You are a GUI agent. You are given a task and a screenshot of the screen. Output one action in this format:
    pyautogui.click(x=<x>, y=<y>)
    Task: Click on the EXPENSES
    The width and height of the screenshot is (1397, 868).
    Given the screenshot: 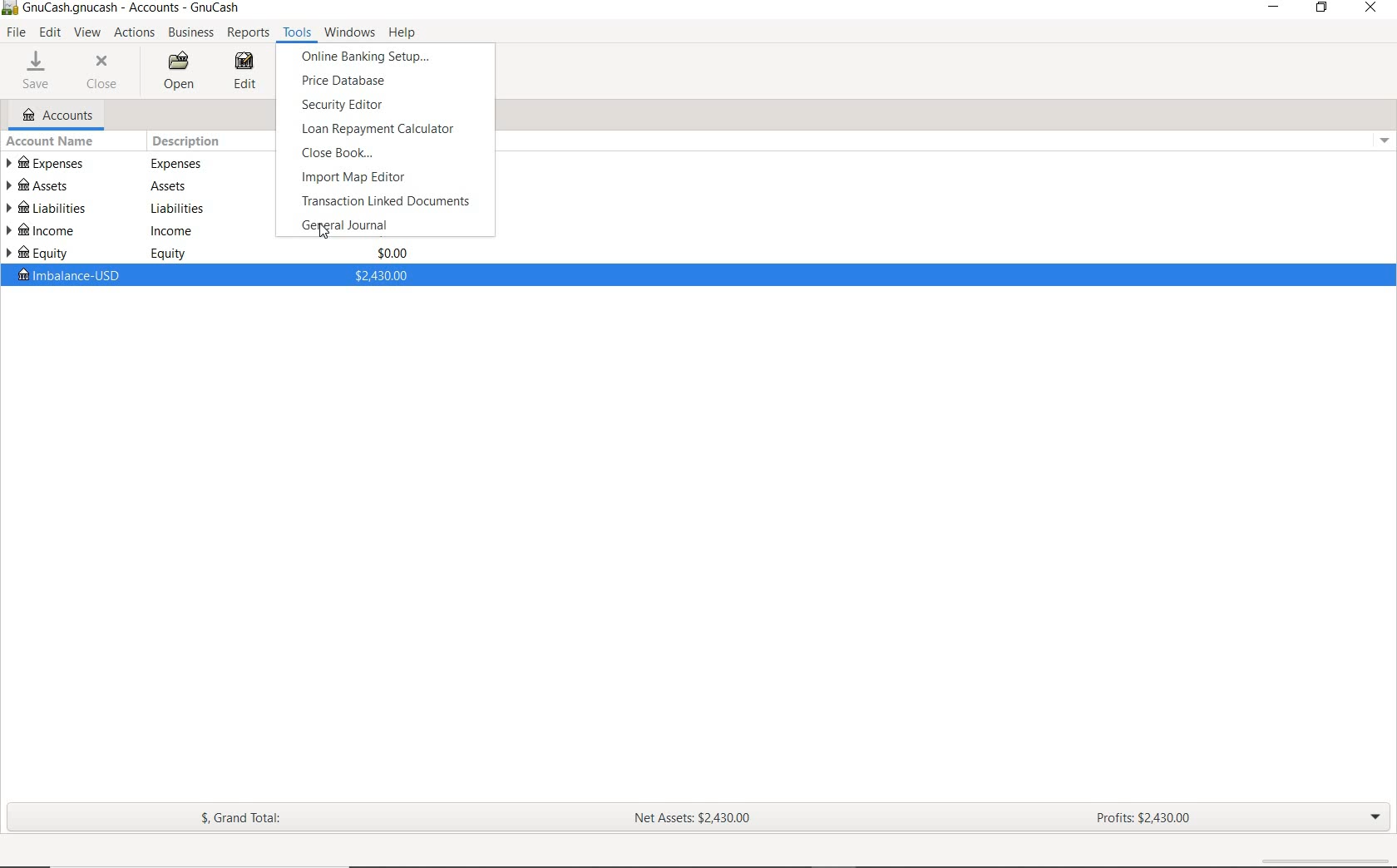 What is the action you would take?
    pyautogui.click(x=50, y=164)
    